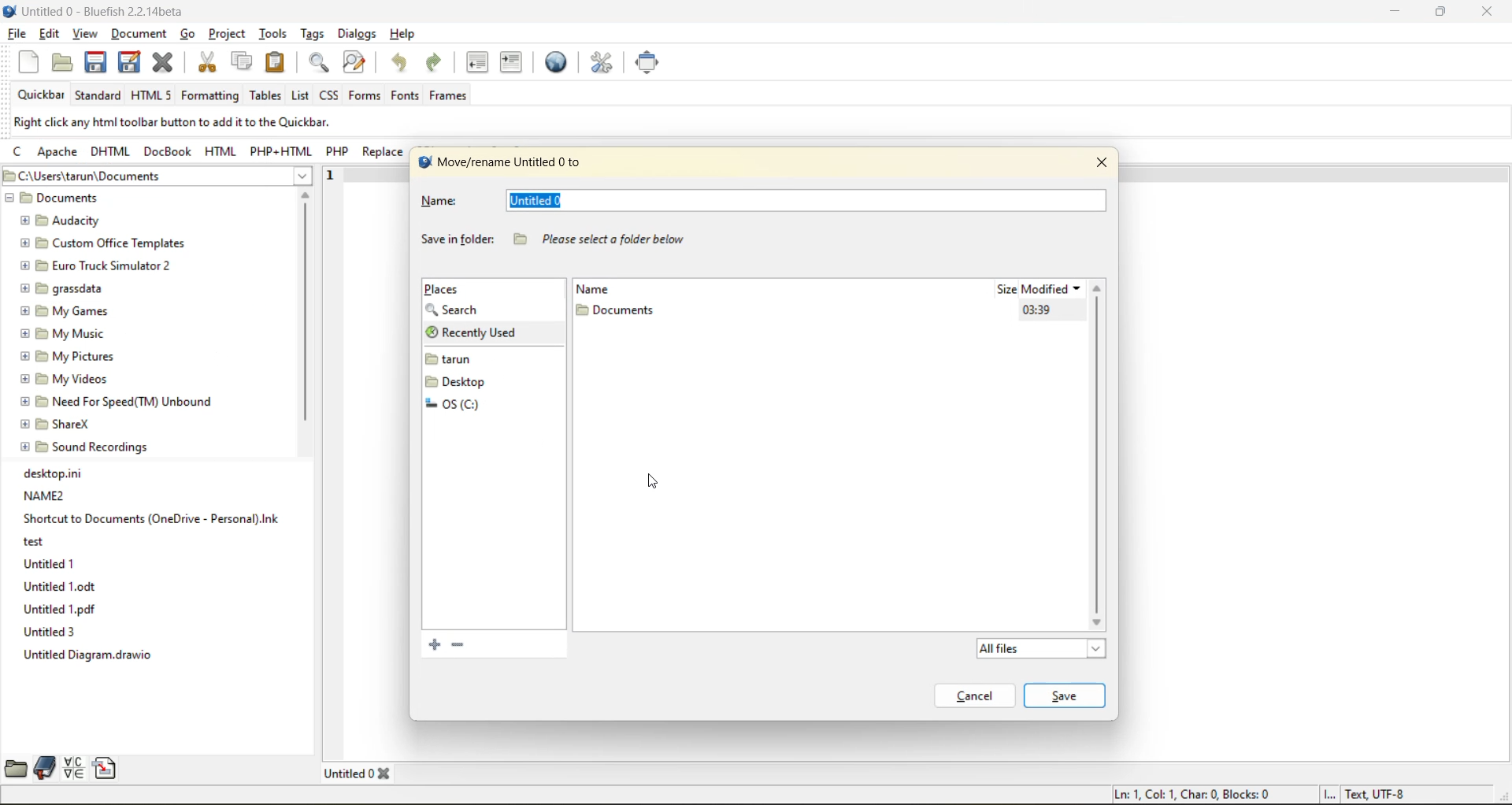 This screenshot has width=1512, height=805. I want to click on copy, so click(242, 62).